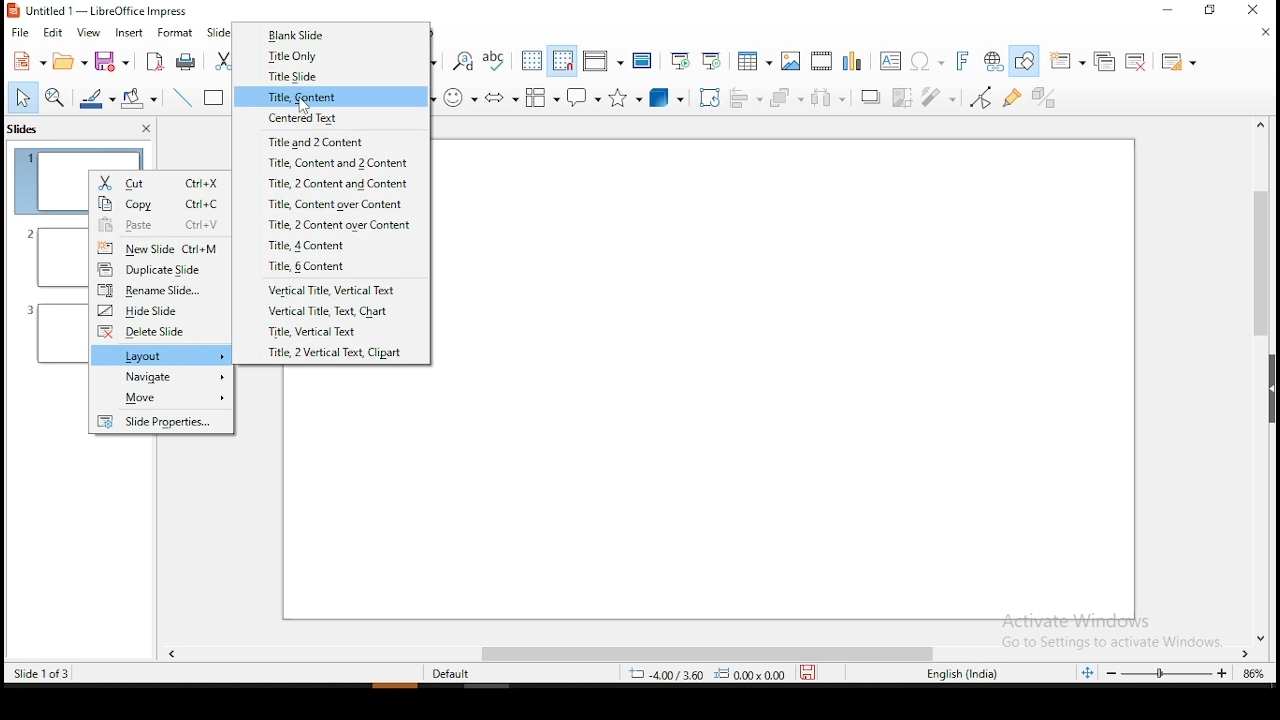  I want to click on spell check, so click(498, 63).